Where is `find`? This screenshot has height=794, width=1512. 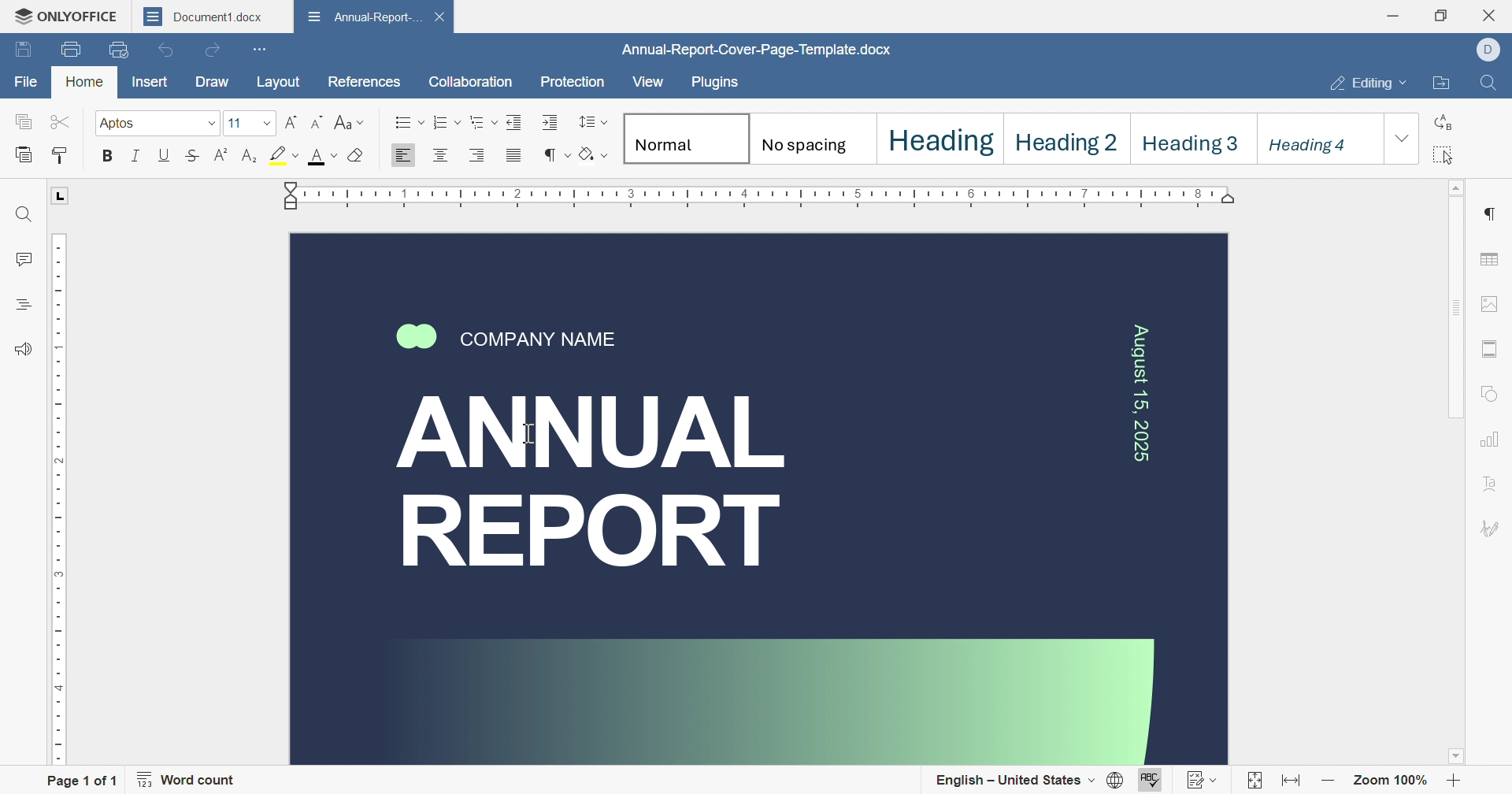
find is located at coordinates (24, 213).